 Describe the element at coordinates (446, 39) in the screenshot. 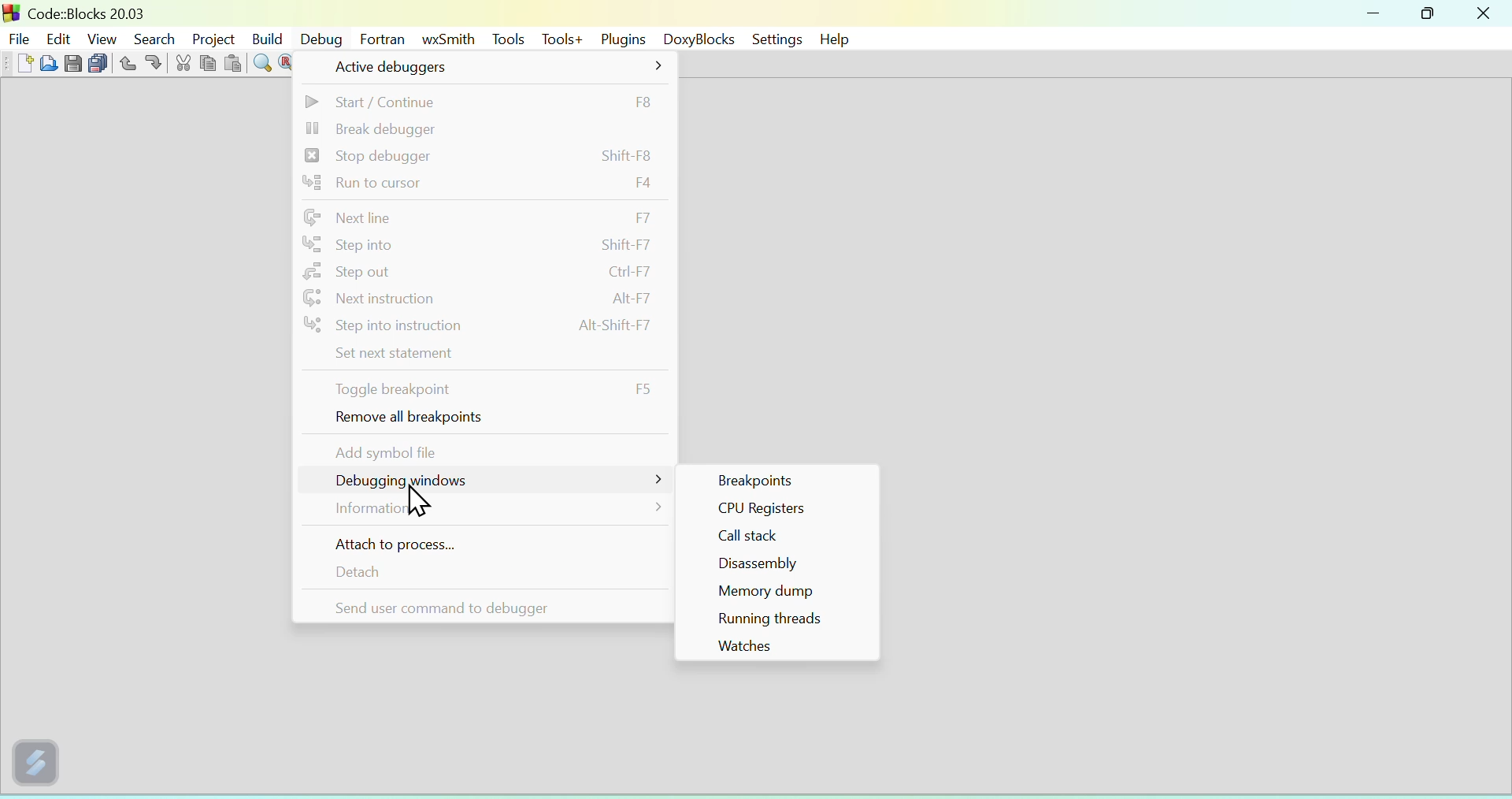

I see `wxSmith` at that location.